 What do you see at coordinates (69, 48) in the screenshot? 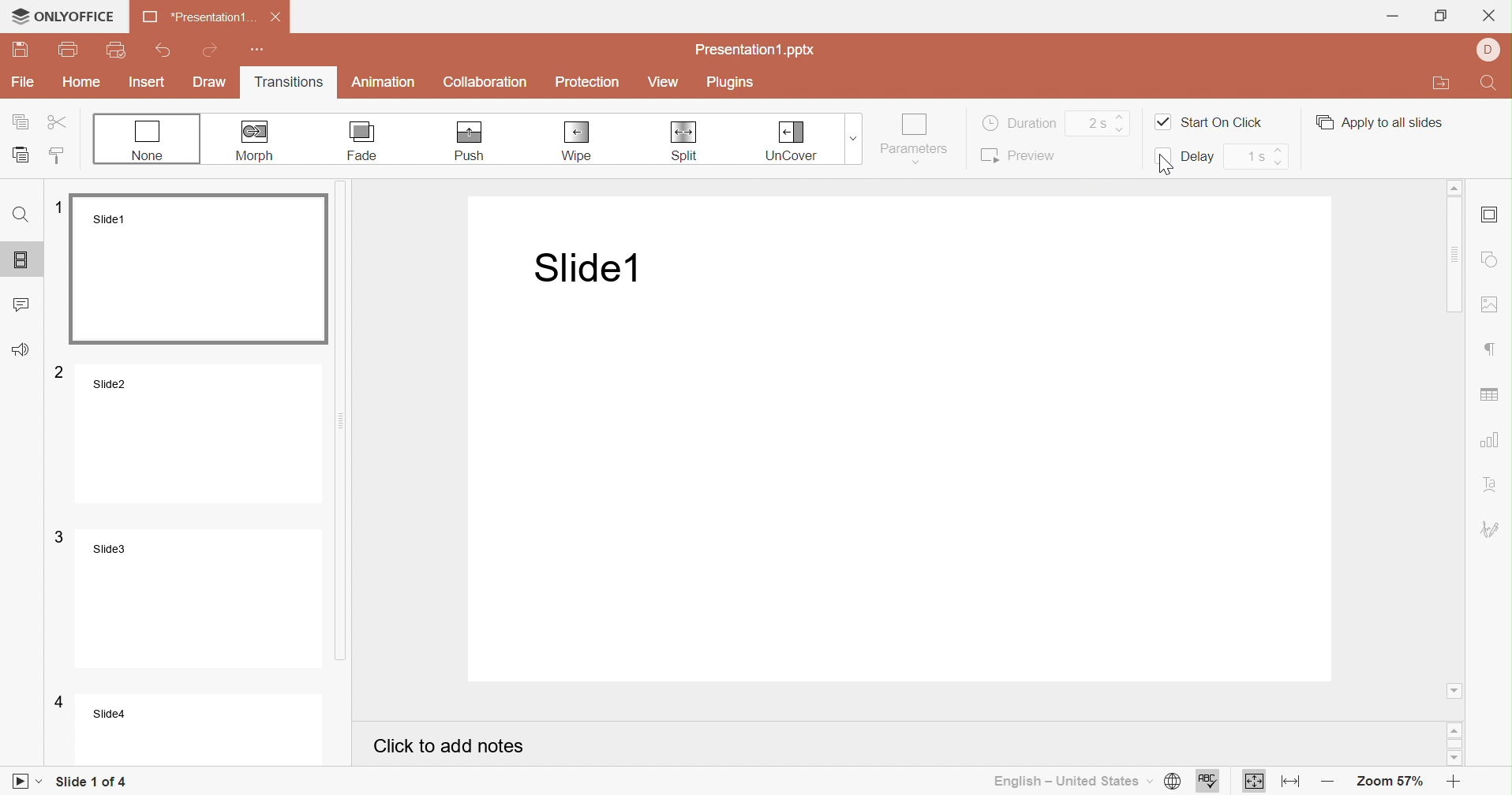
I see `Print file` at bounding box center [69, 48].